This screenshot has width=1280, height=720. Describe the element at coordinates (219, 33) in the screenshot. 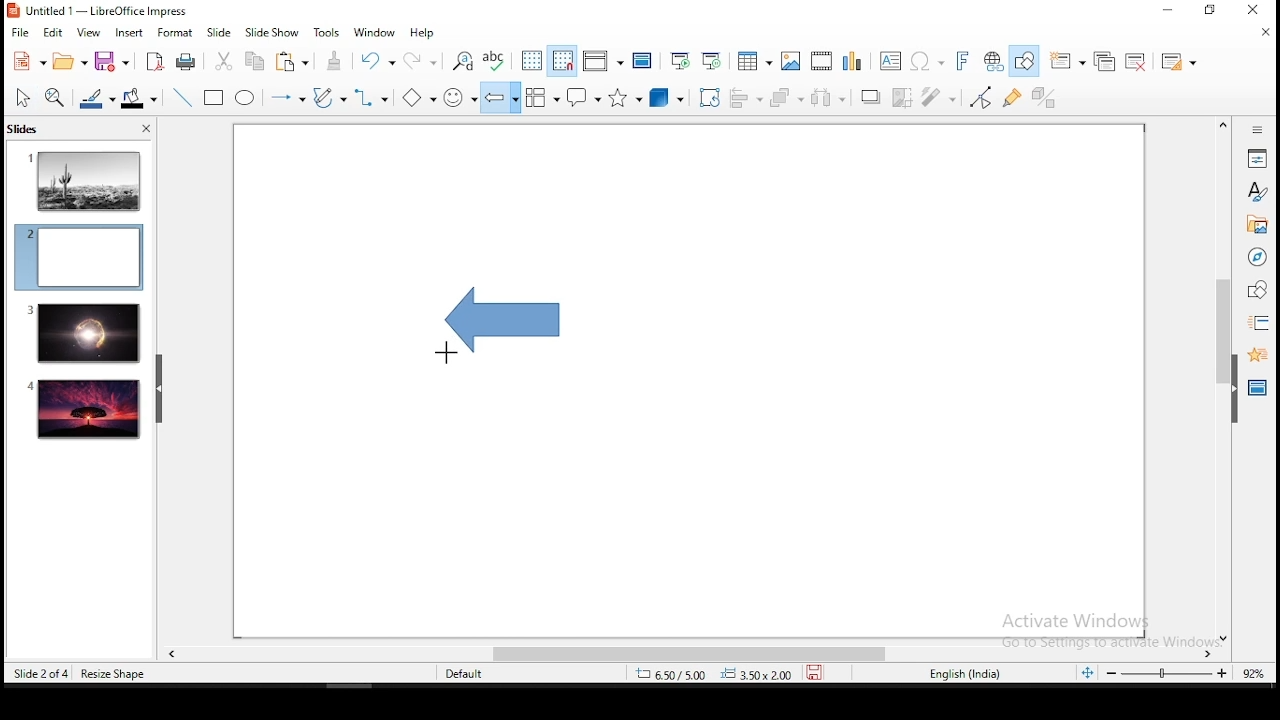

I see `slide` at that location.